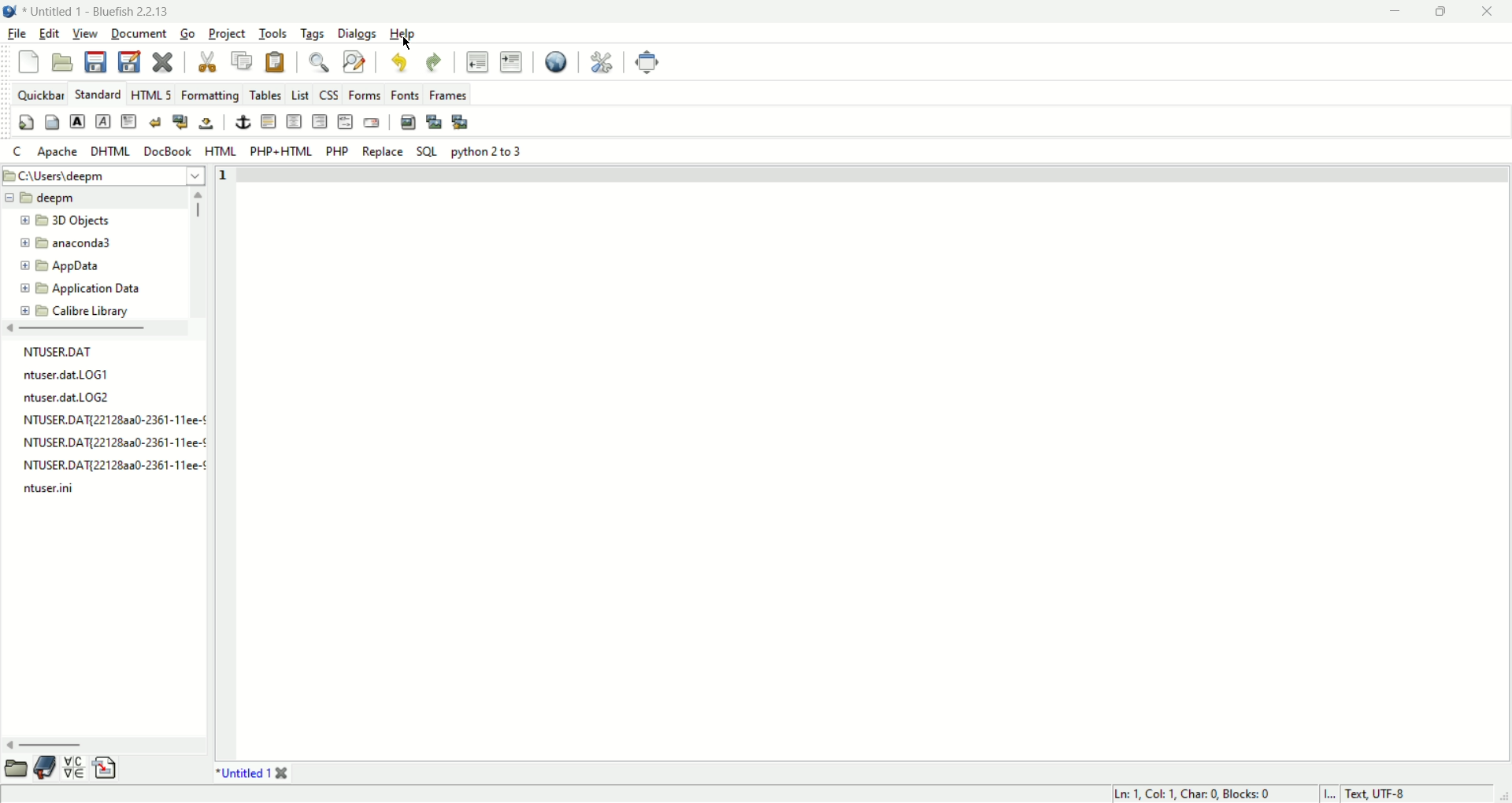  I want to click on find, so click(321, 63).